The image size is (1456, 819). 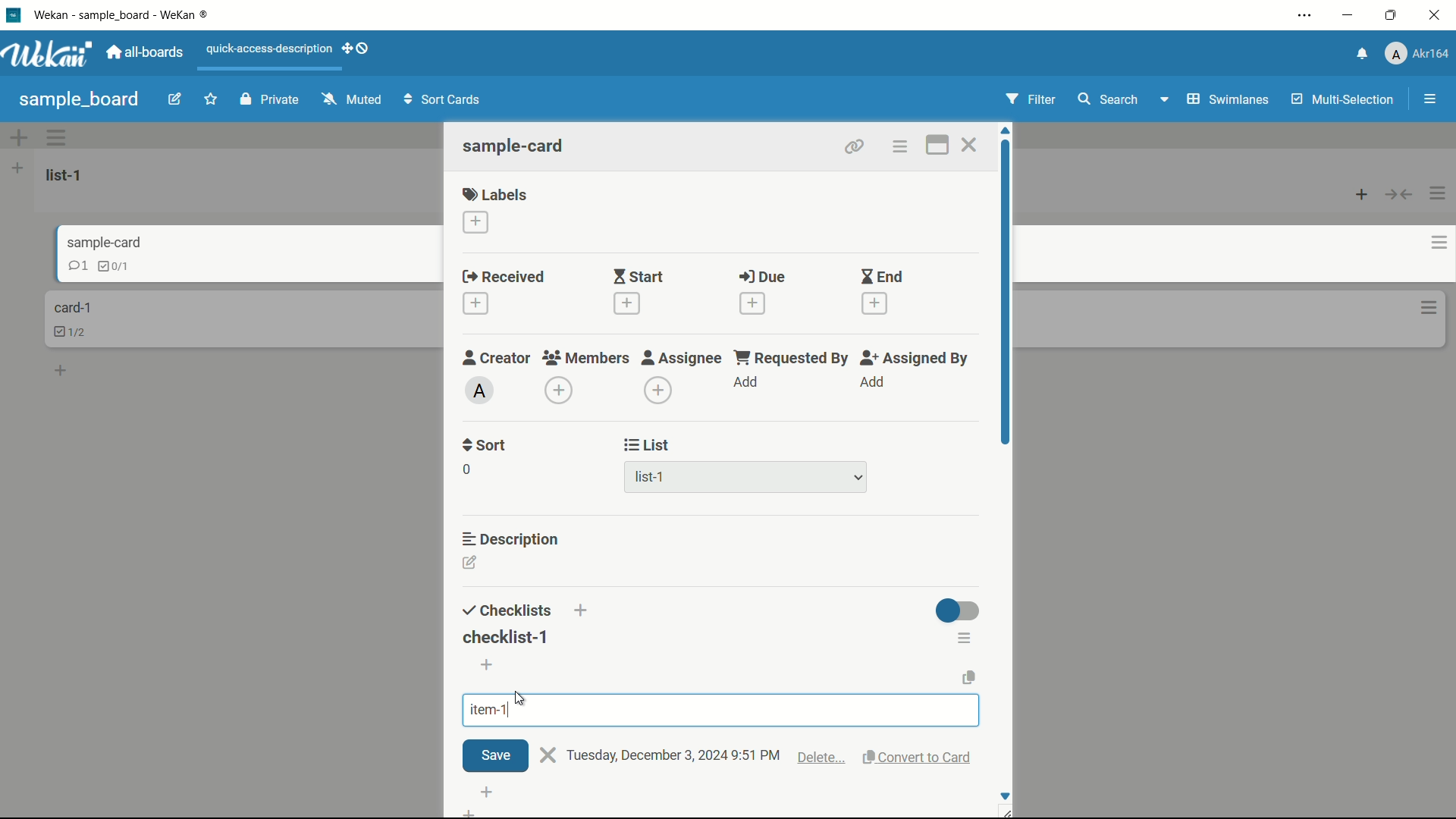 I want to click on maximize card, so click(x=938, y=145).